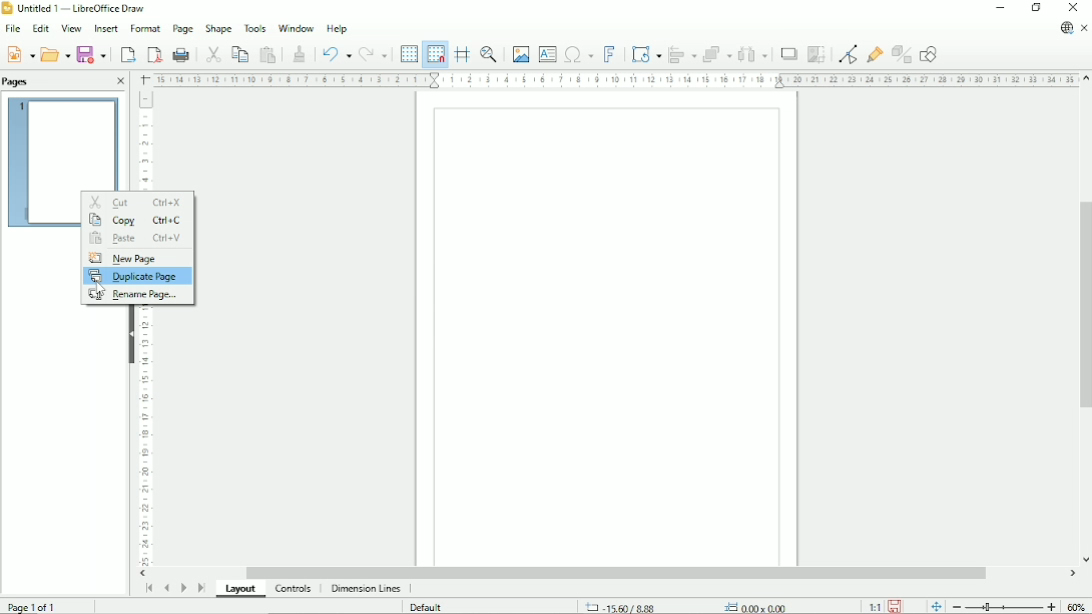 The image size is (1092, 614). What do you see at coordinates (295, 589) in the screenshot?
I see `Controls` at bounding box center [295, 589].